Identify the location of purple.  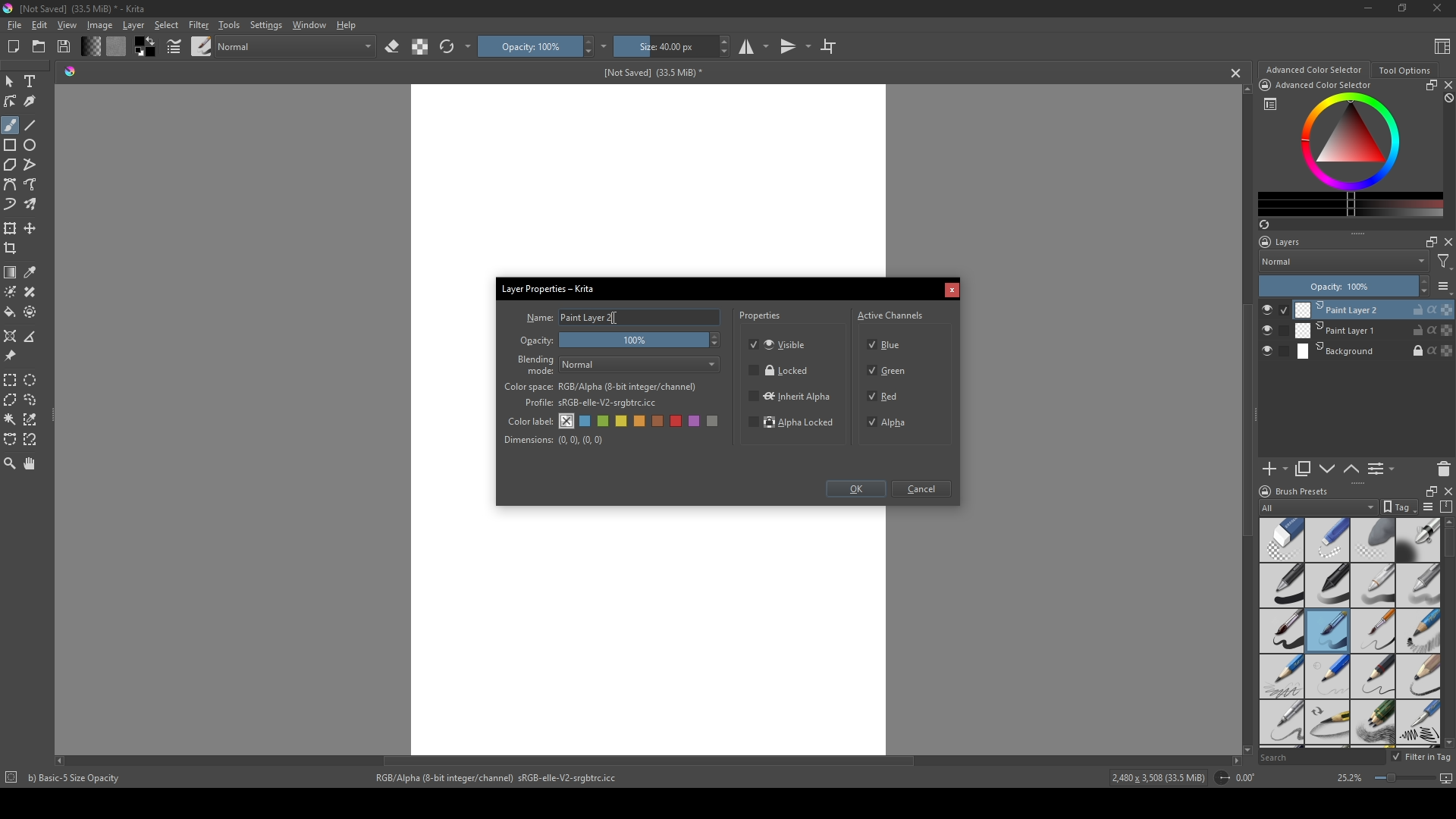
(697, 422).